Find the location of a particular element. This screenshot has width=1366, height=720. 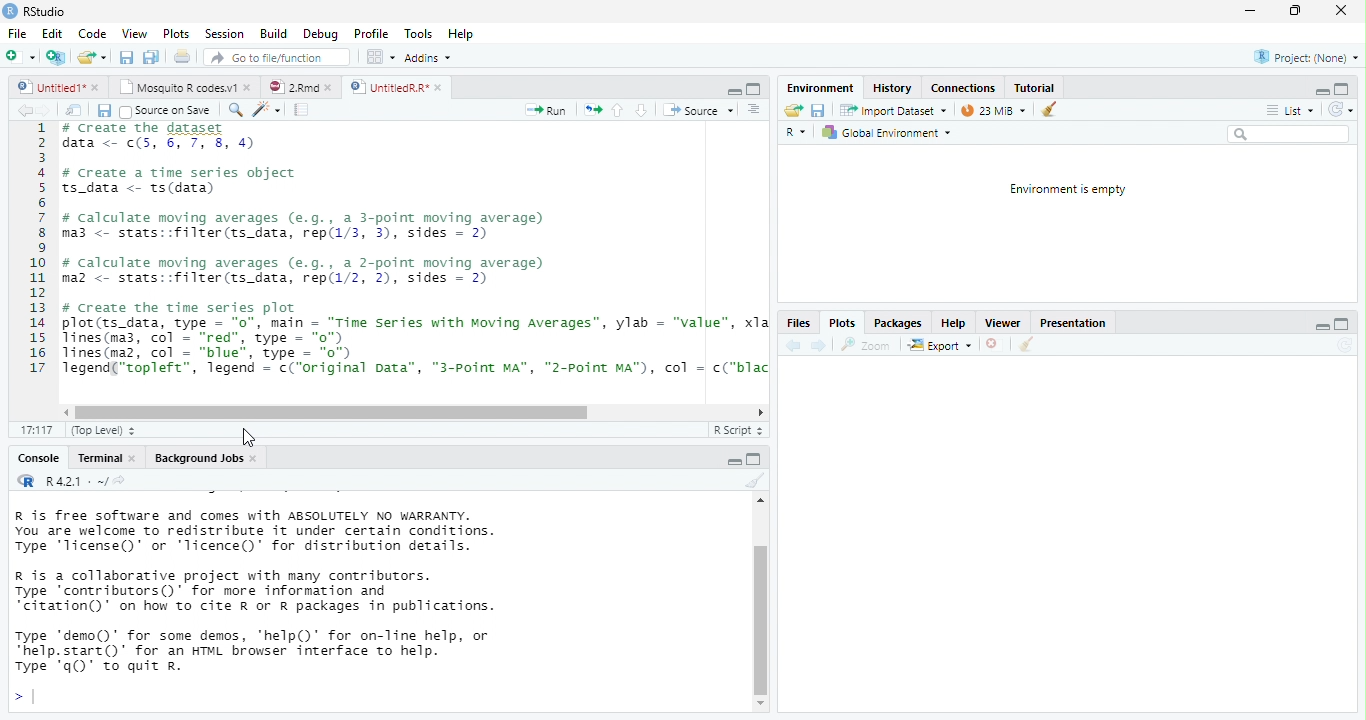

UntitiedR.R" is located at coordinates (387, 87).